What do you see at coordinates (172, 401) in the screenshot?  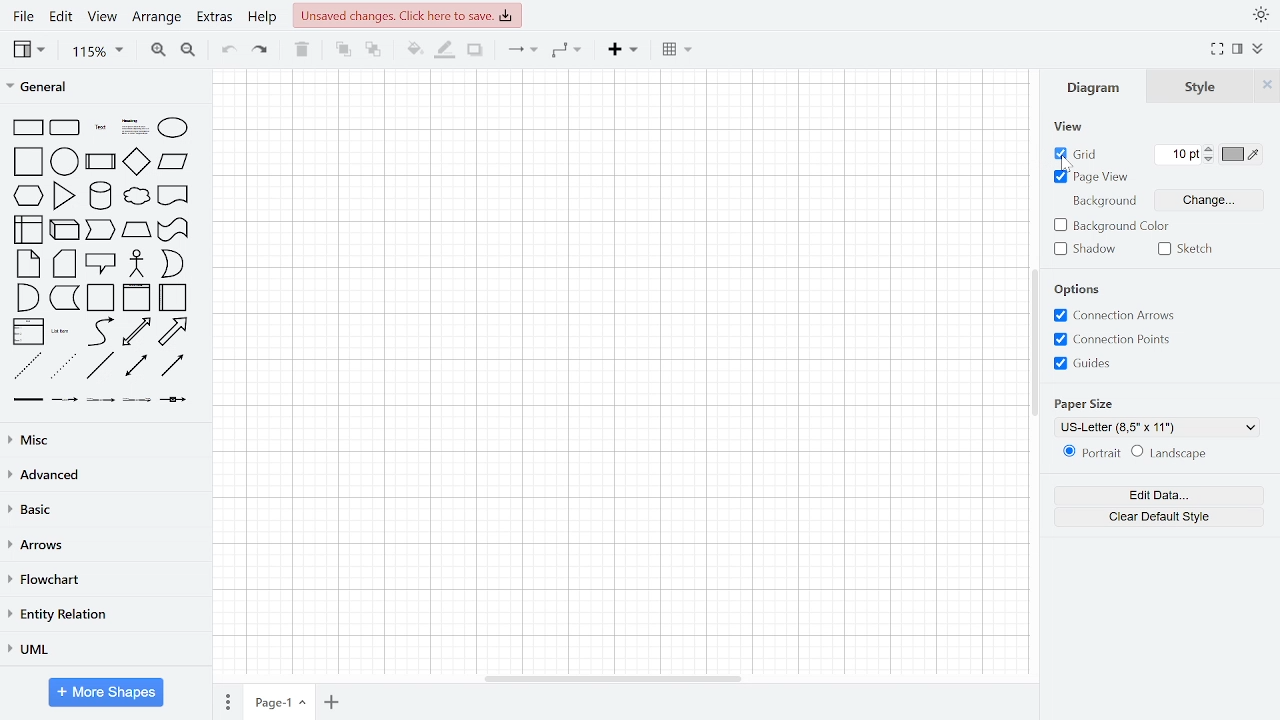 I see `connector with link` at bounding box center [172, 401].